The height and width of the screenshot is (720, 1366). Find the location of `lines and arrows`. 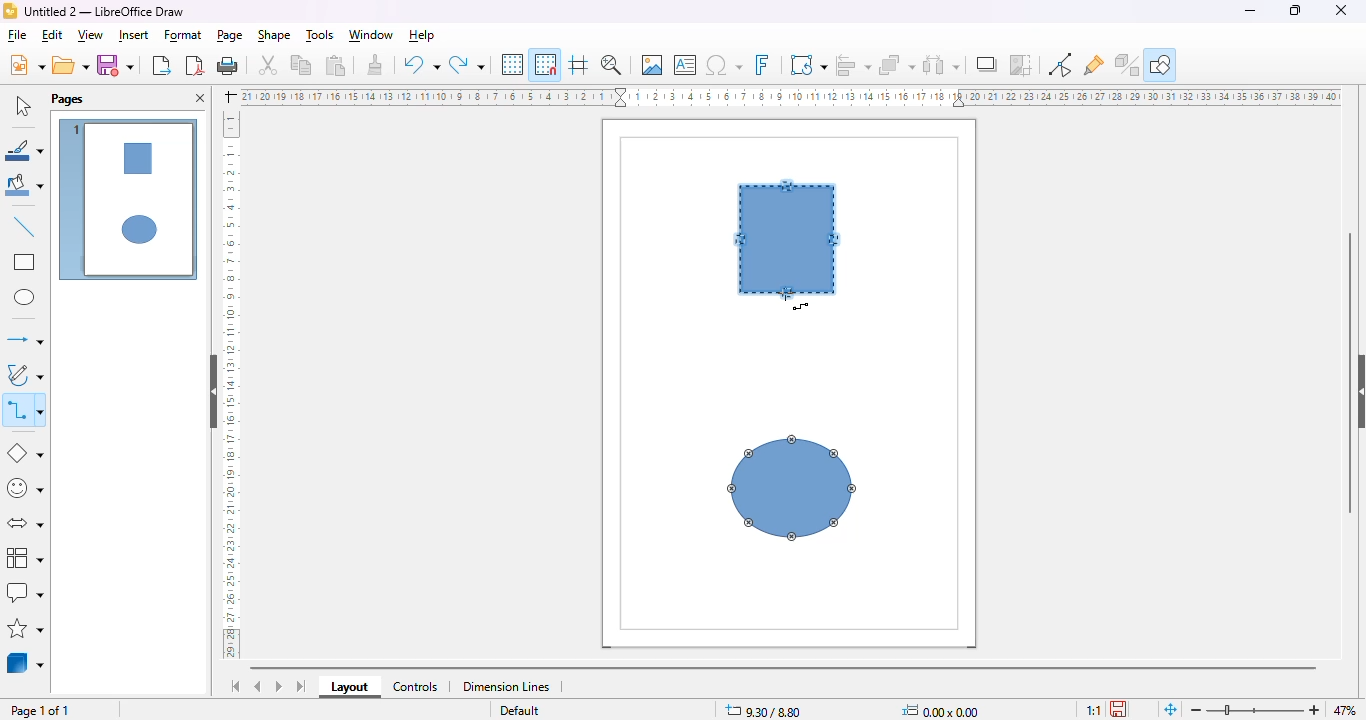

lines and arrows is located at coordinates (24, 339).